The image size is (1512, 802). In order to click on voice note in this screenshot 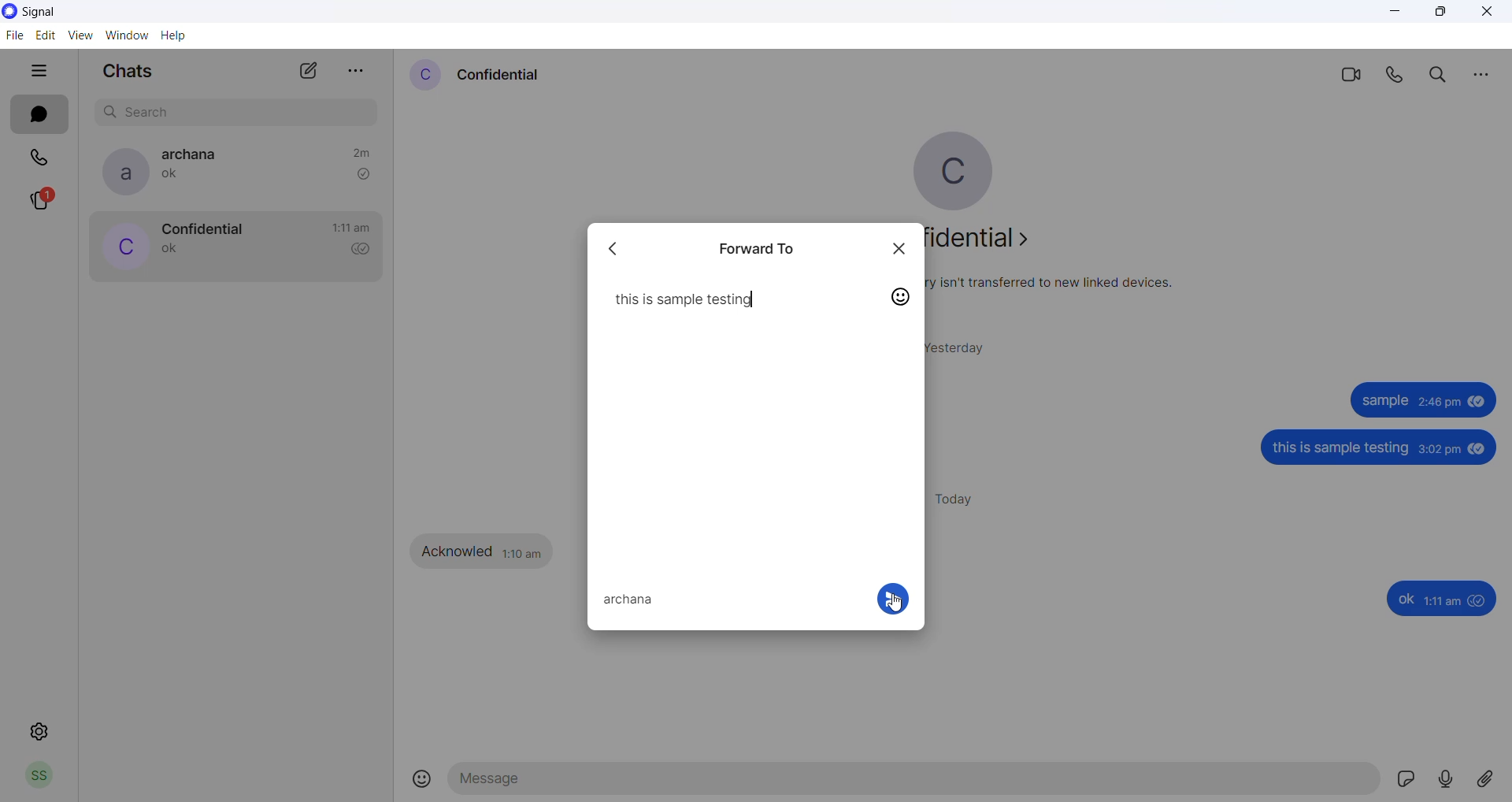, I will do `click(1449, 779)`.